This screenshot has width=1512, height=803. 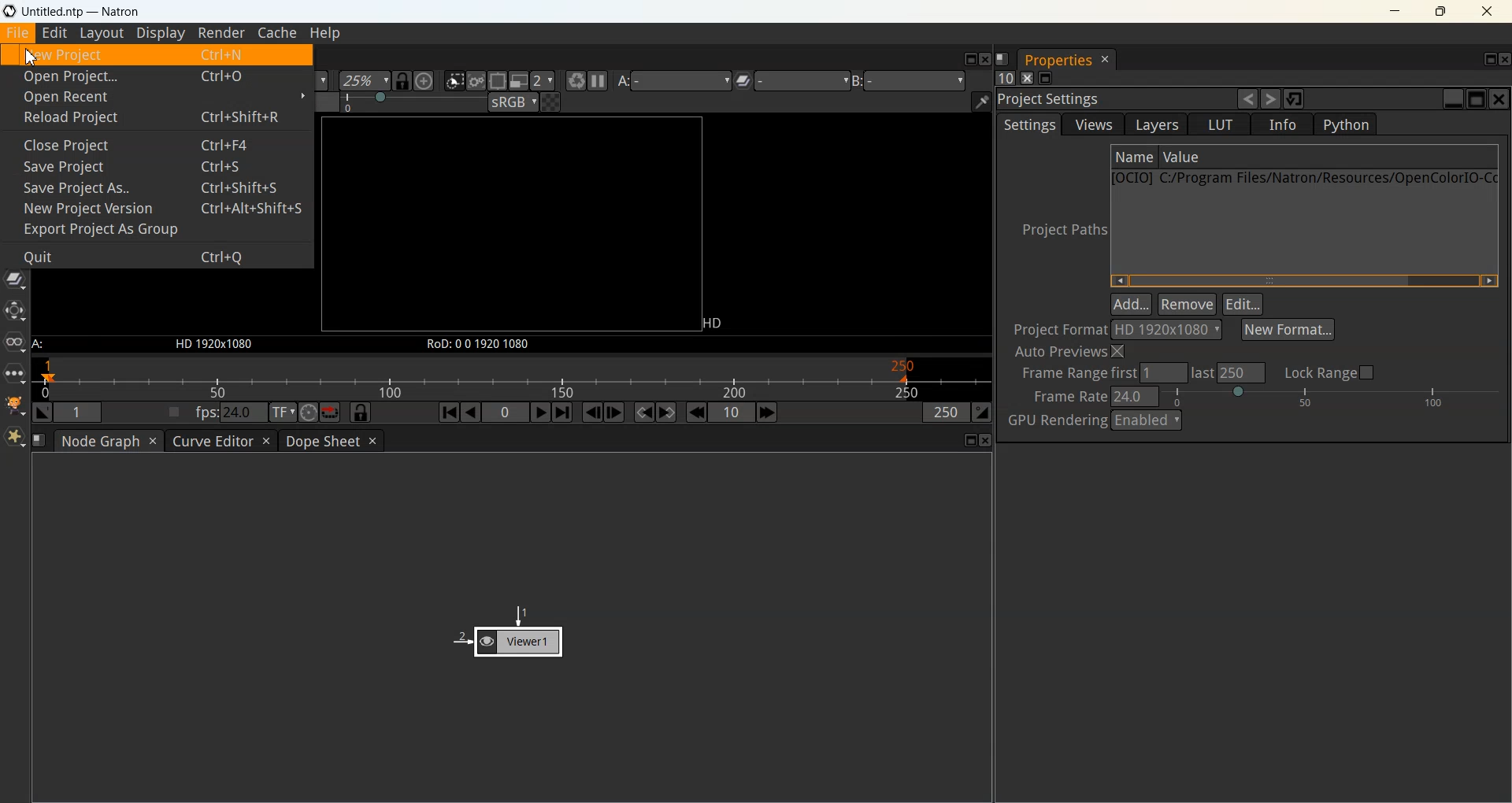 I want to click on Set the Playback at end, so click(x=982, y=412).